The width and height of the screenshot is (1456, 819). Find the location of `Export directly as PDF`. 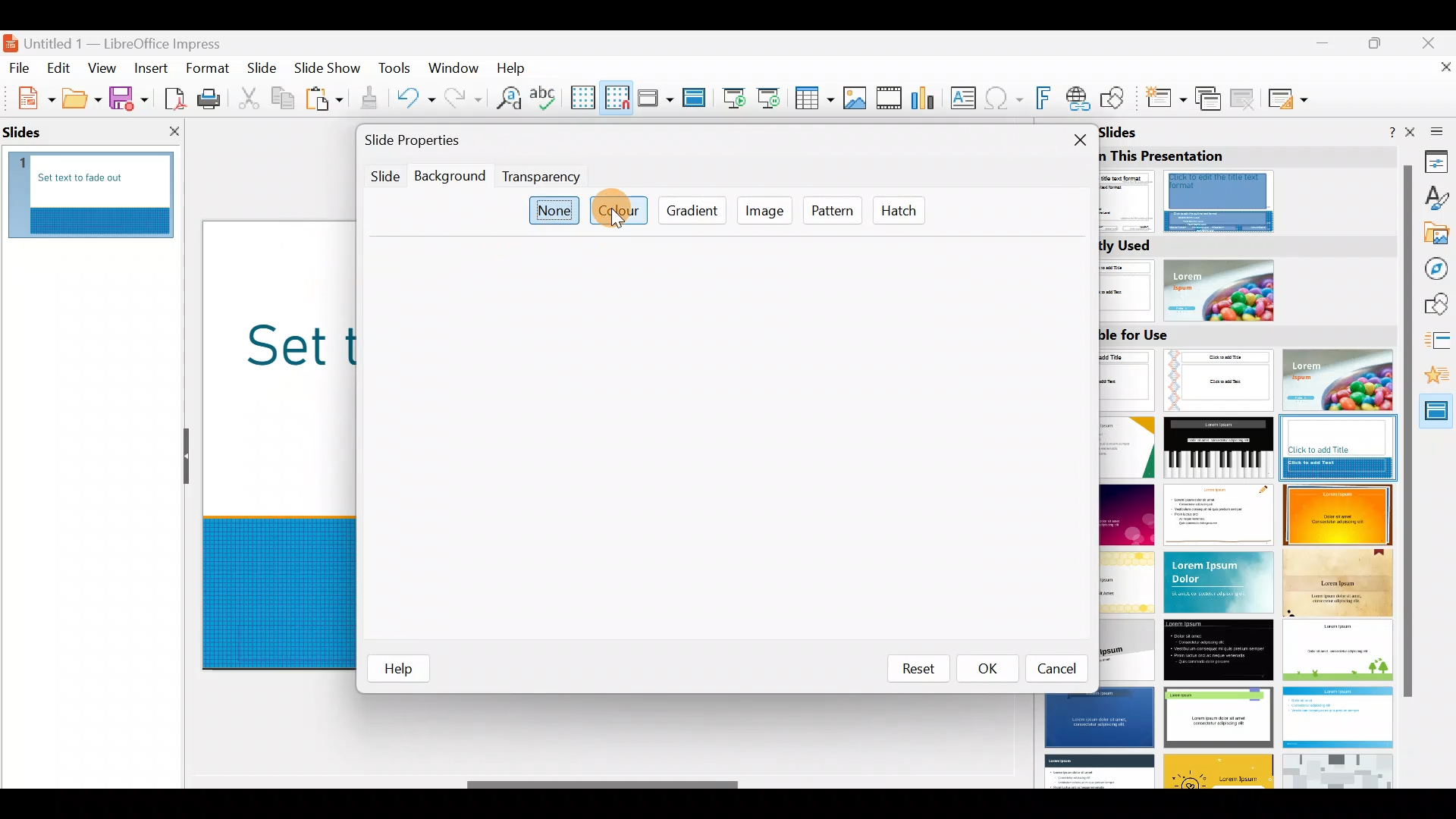

Export directly as PDF is located at coordinates (171, 97).